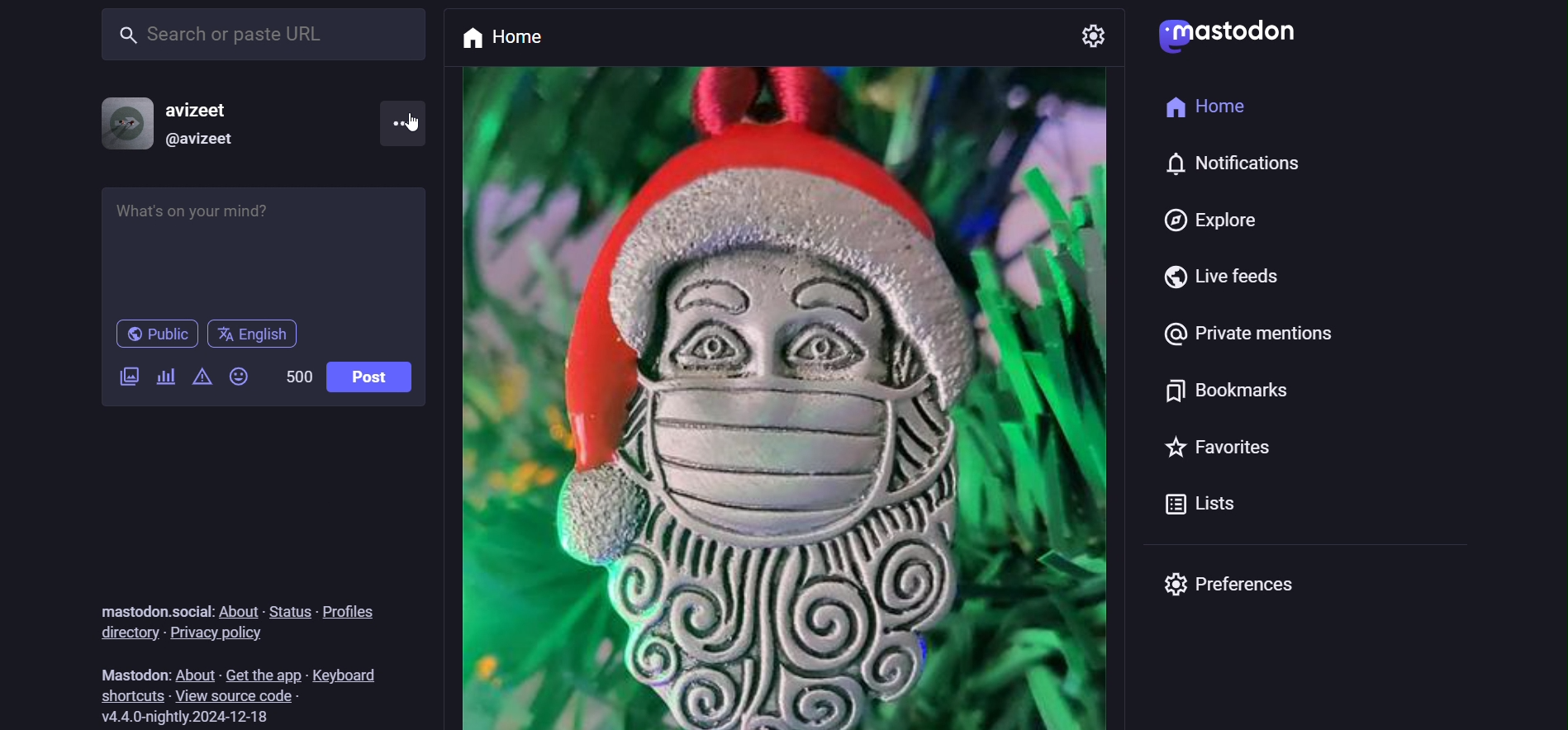 The width and height of the screenshot is (1568, 730). Describe the element at coordinates (388, 377) in the screenshot. I see `post` at that location.